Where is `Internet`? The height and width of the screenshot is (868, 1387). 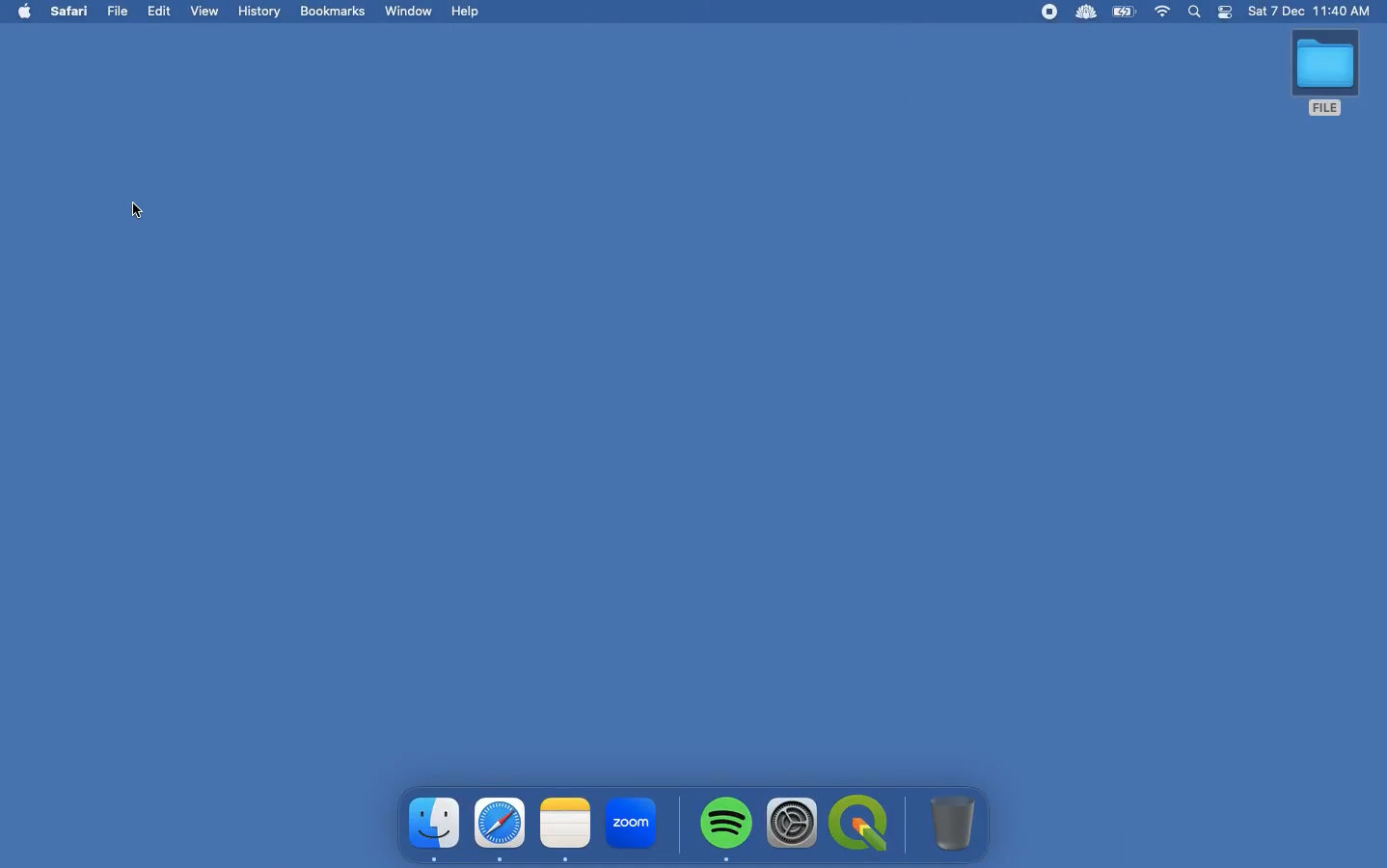 Internet is located at coordinates (1164, 13).